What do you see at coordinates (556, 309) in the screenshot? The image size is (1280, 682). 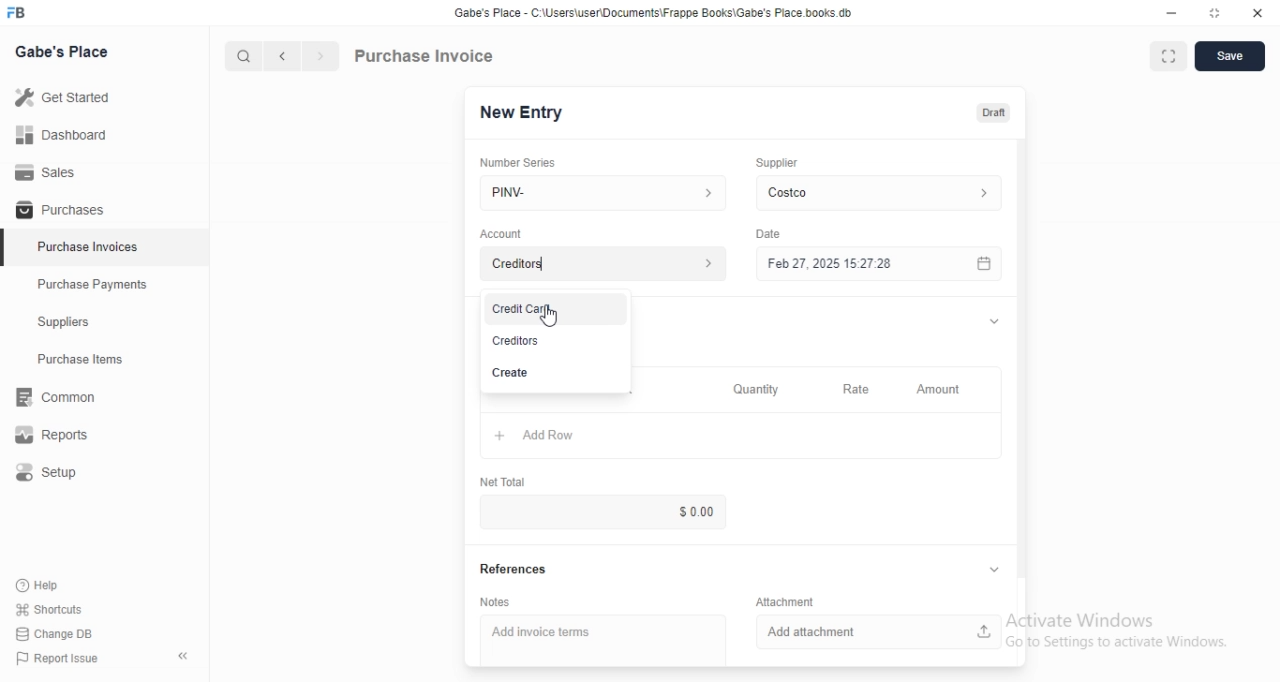 I see `Credit Card` at bounding box center [556, 309].